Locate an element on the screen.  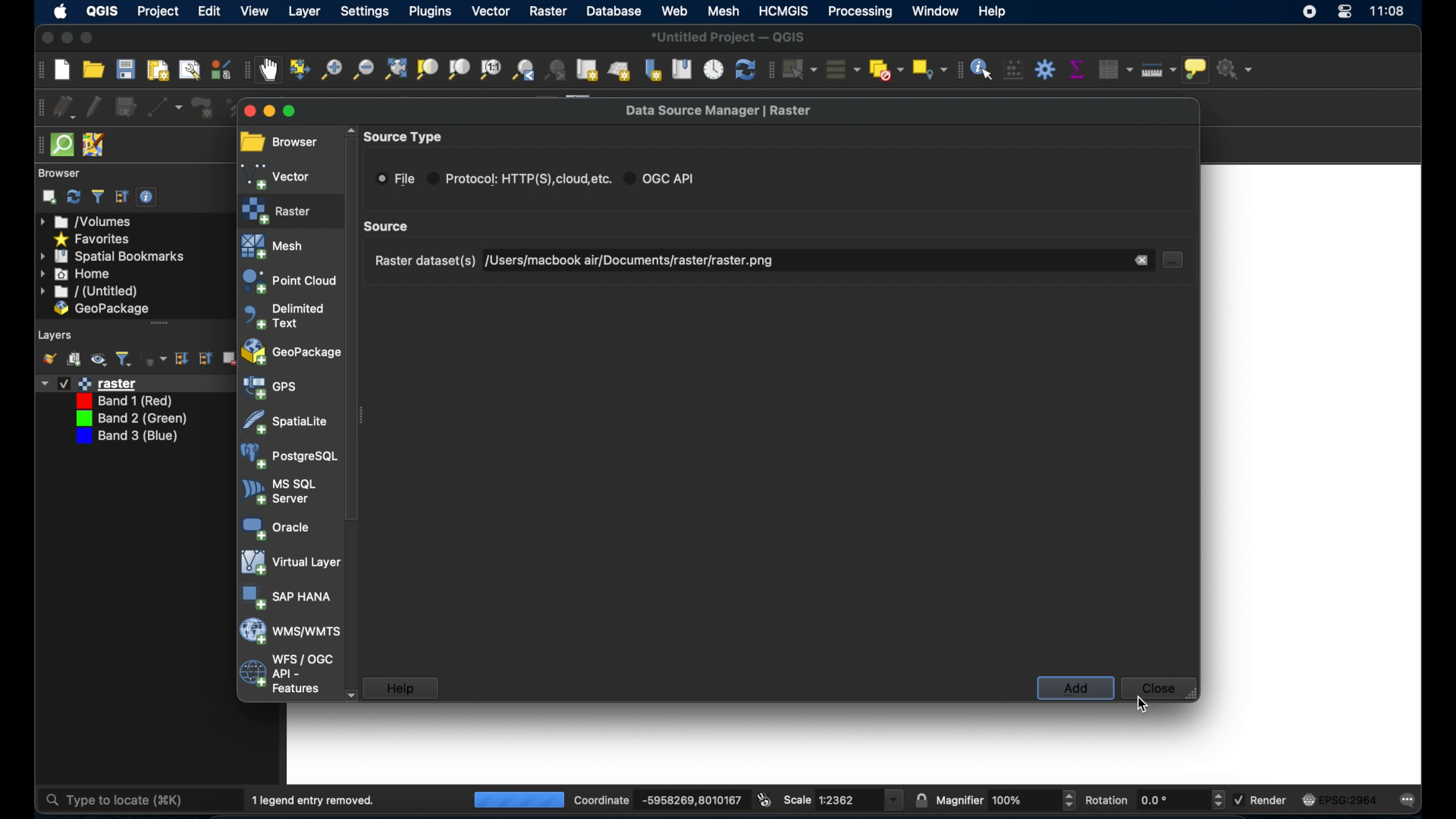
plugins is located at coordinates (429, 12).